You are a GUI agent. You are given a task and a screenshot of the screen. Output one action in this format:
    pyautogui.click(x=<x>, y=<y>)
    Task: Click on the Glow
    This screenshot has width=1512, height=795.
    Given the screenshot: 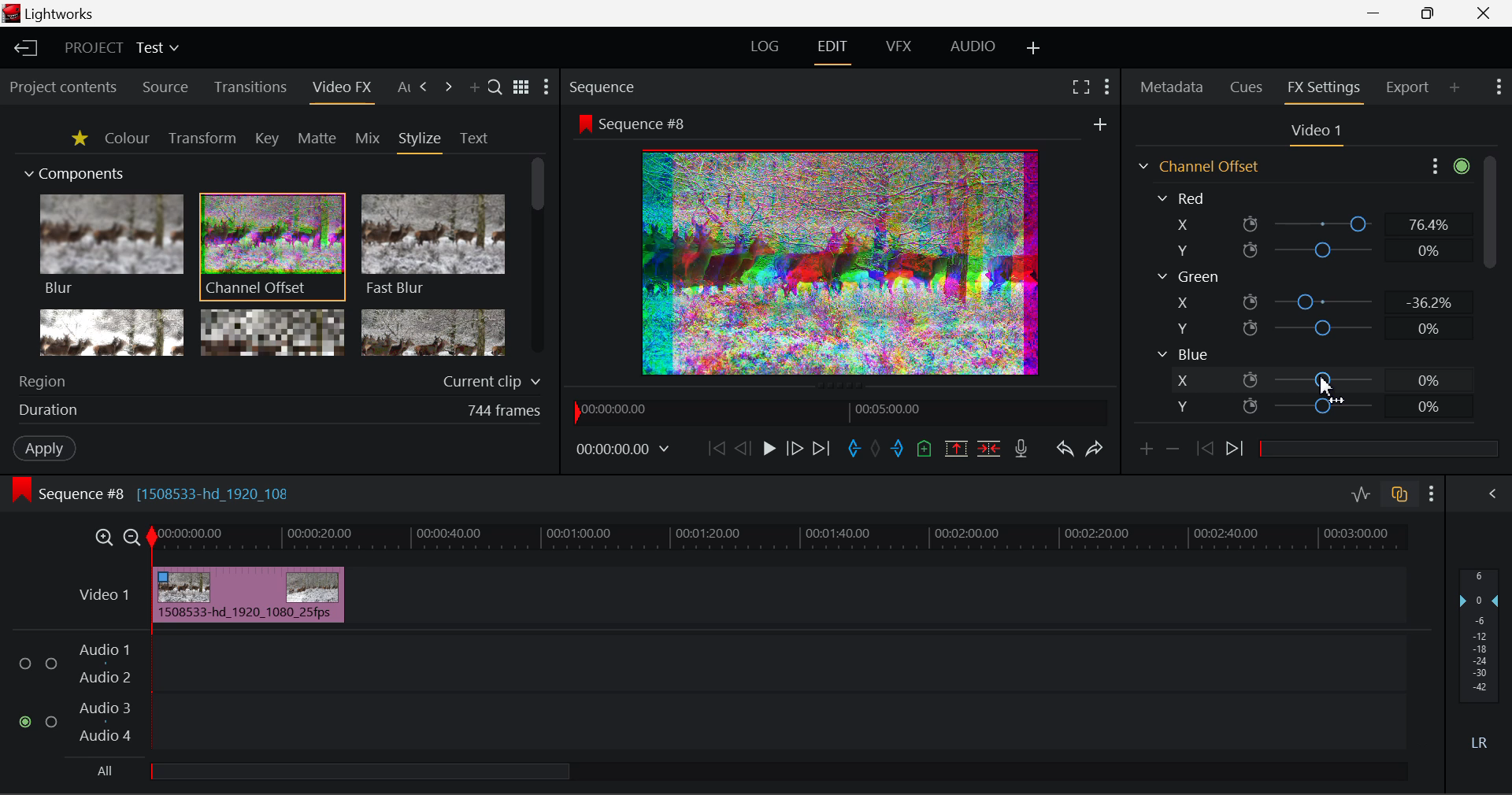 What is the action you would take?
    pyautogui.click(x=109, y=331)
    